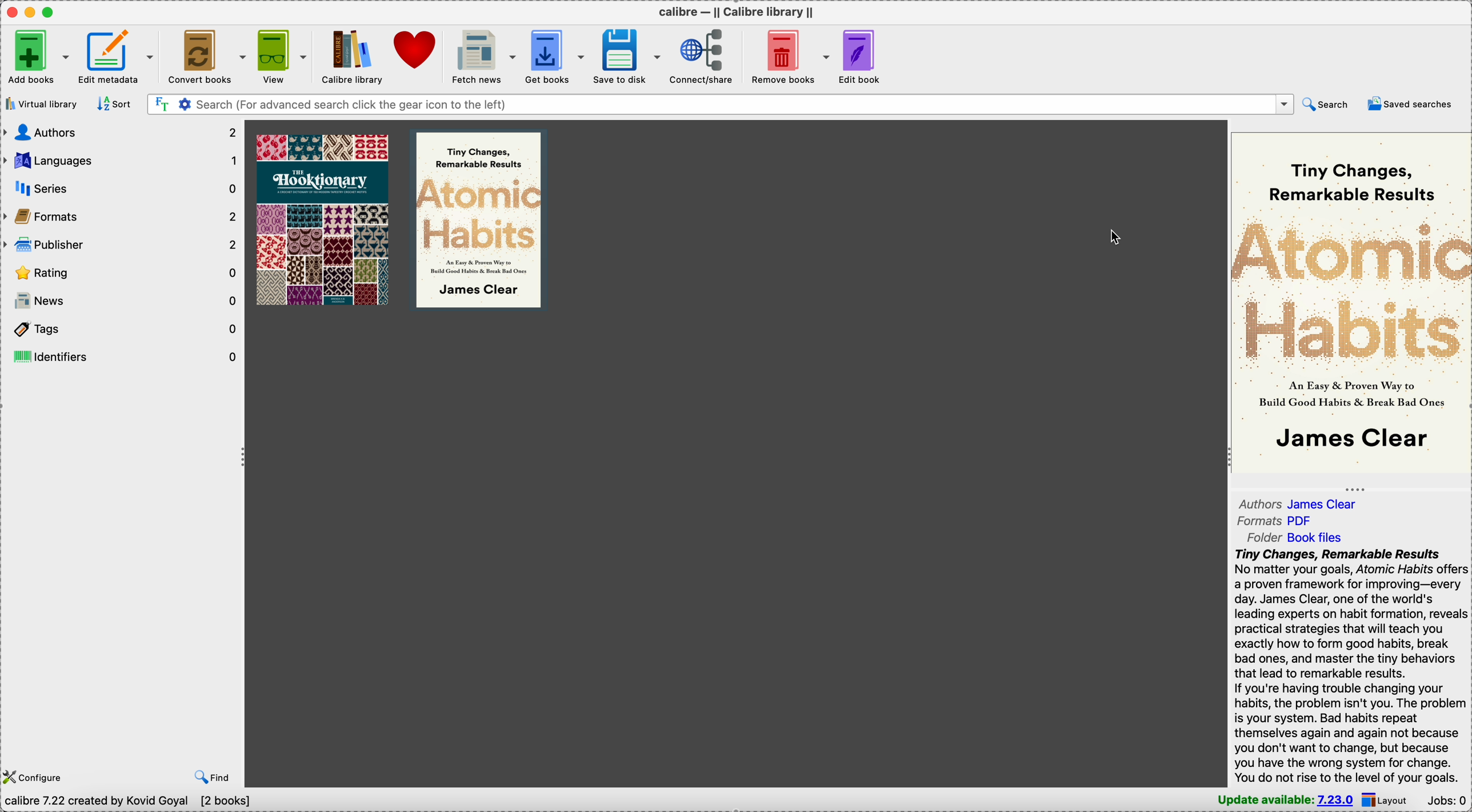 The image size is (1472, 812). I want to click on calibre 7.22 created by kovid goyal [2 books], so click(130, 803).